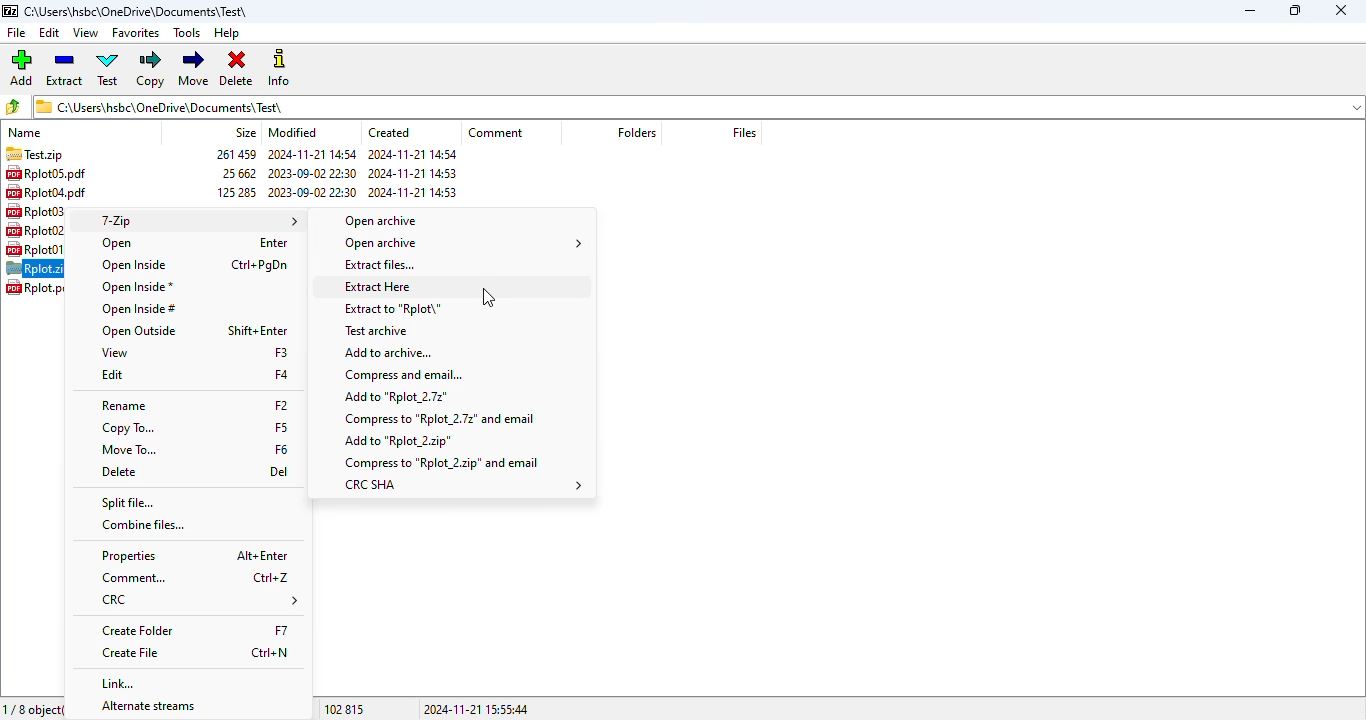  Describe the element at coordinates (261, 554) in the screenshot. I see `shortcut for properties` at that location.